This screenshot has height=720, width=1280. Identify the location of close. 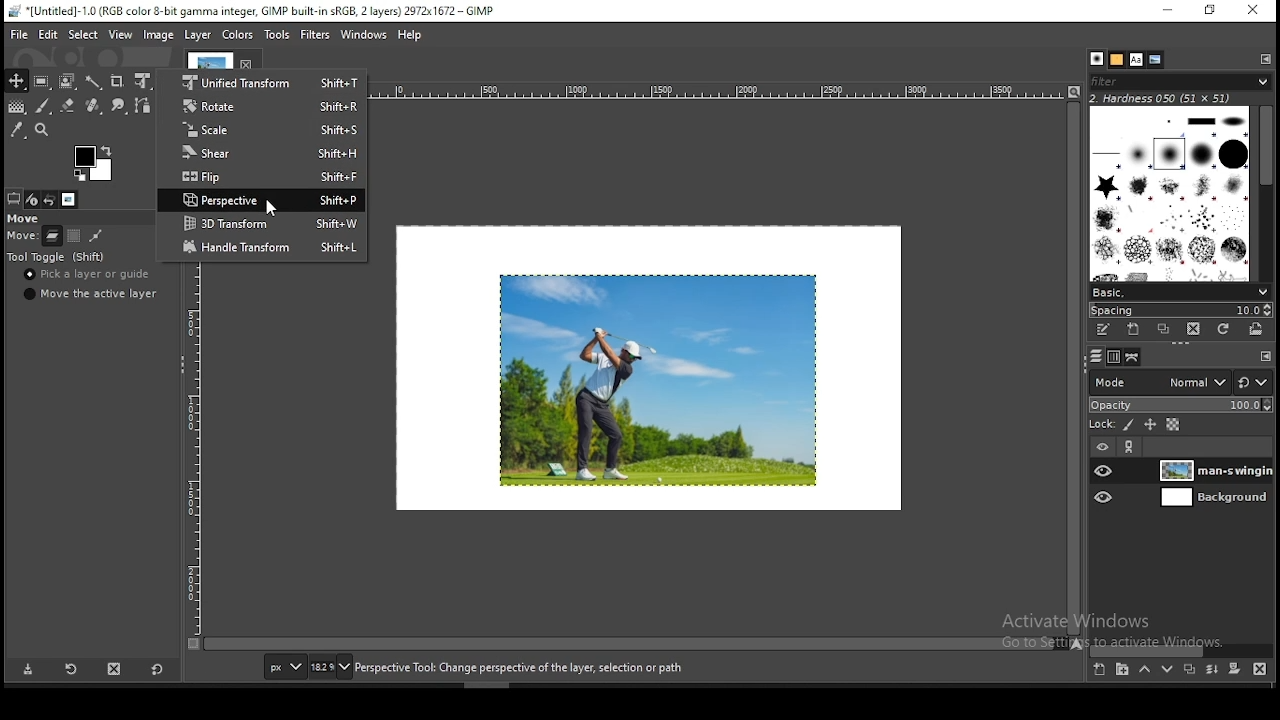
(248, 63).